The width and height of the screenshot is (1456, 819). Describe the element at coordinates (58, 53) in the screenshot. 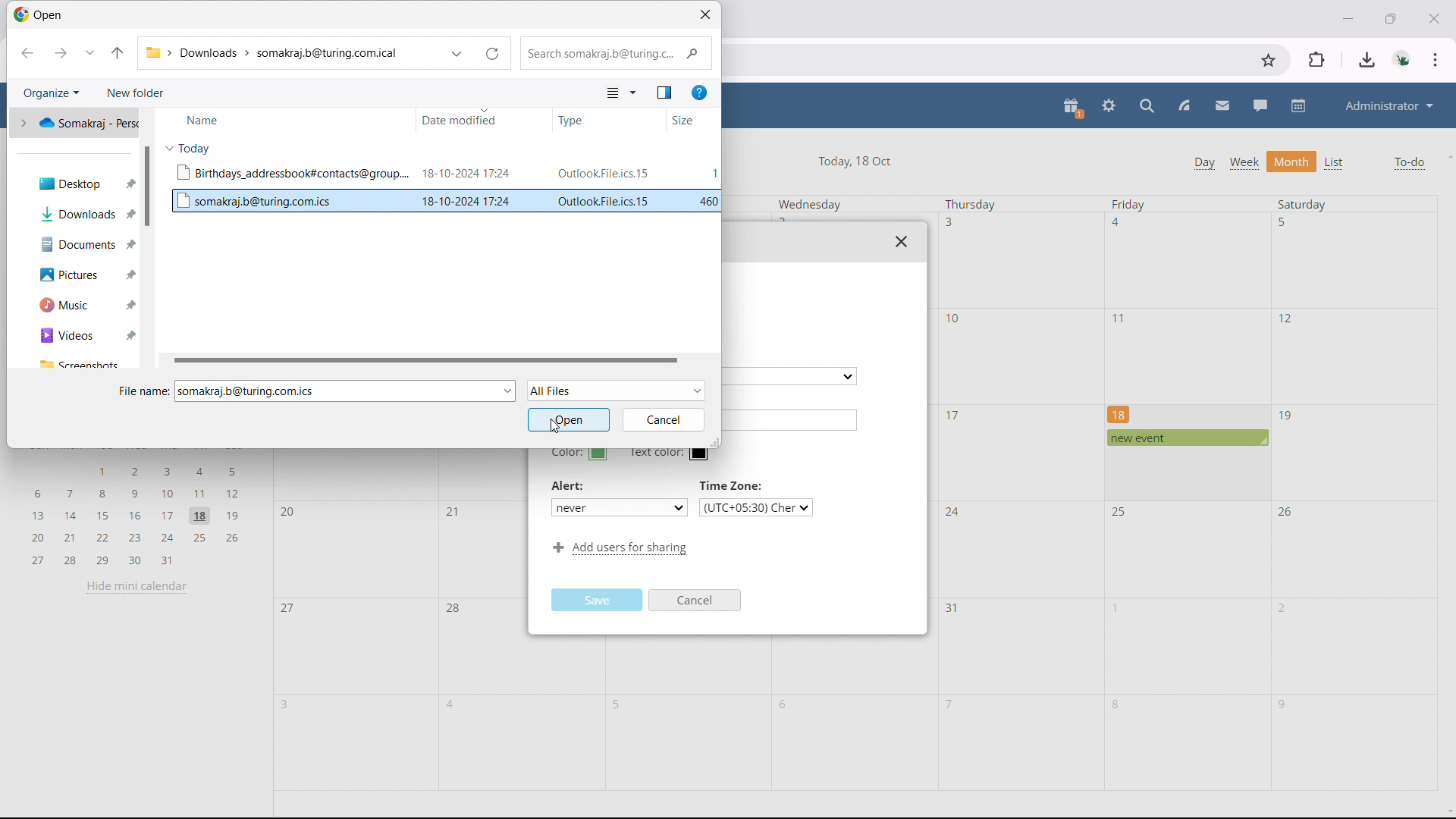

I see `next location` at that location.